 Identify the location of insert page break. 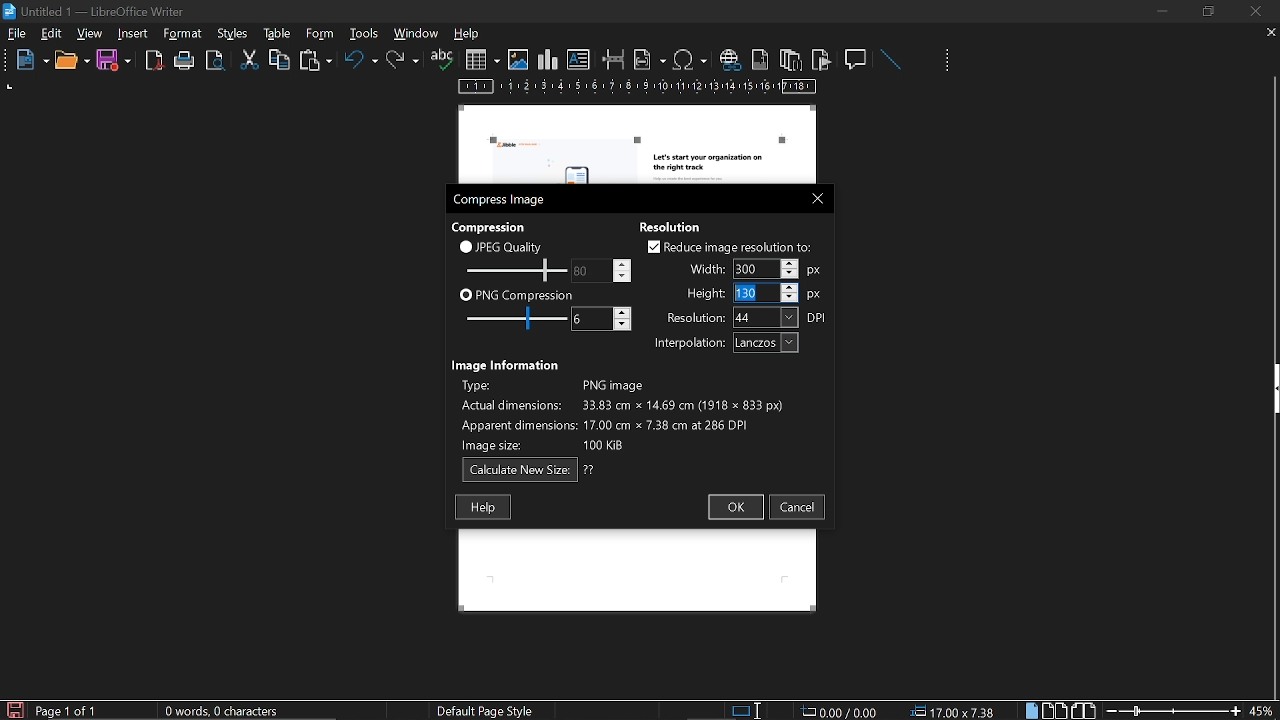
(614, 60).